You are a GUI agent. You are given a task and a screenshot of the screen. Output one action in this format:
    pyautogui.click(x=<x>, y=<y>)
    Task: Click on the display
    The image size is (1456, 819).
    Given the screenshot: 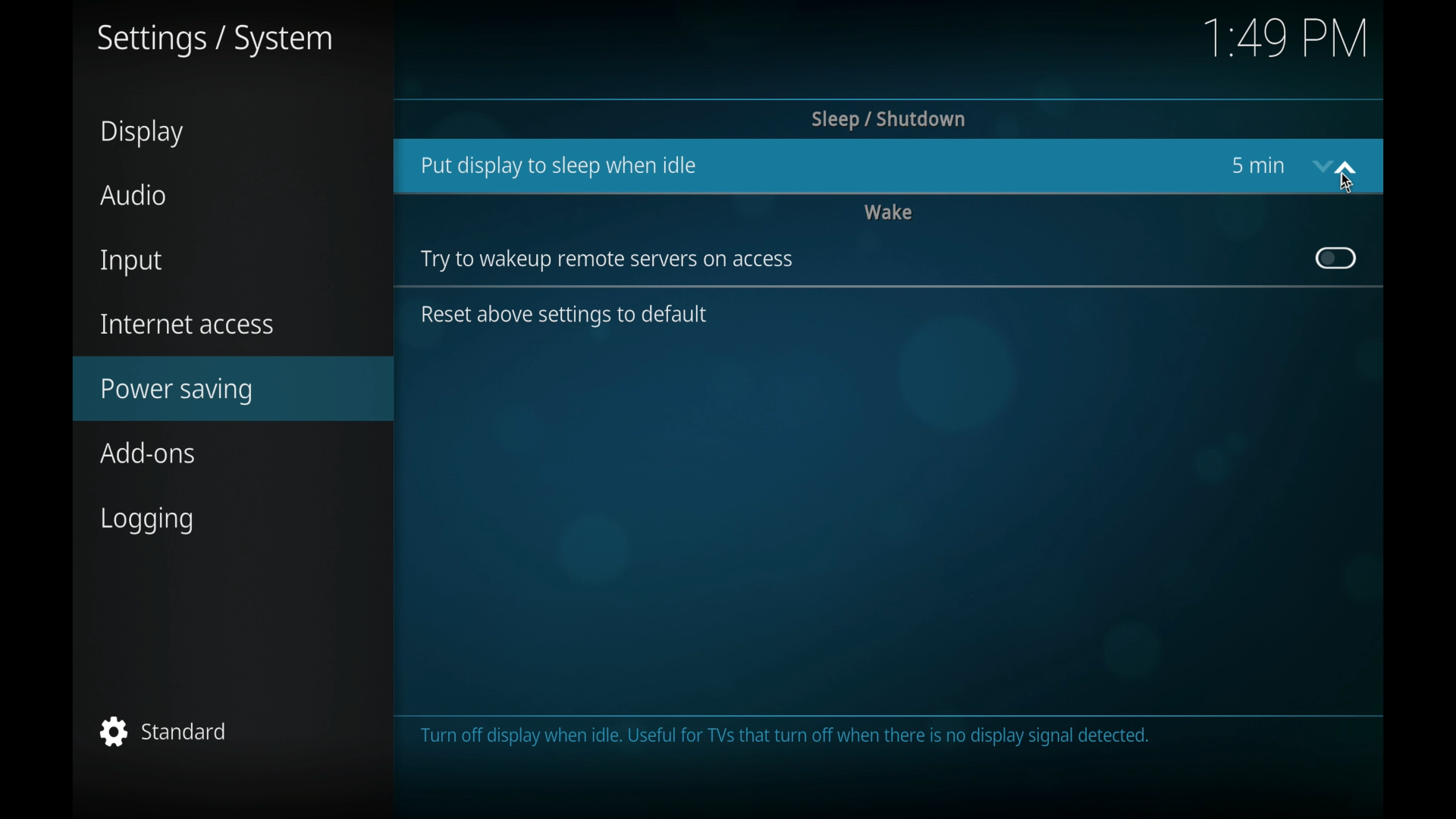 What is the action you would take?
    pyautogui.click(x=141, y=133)
    